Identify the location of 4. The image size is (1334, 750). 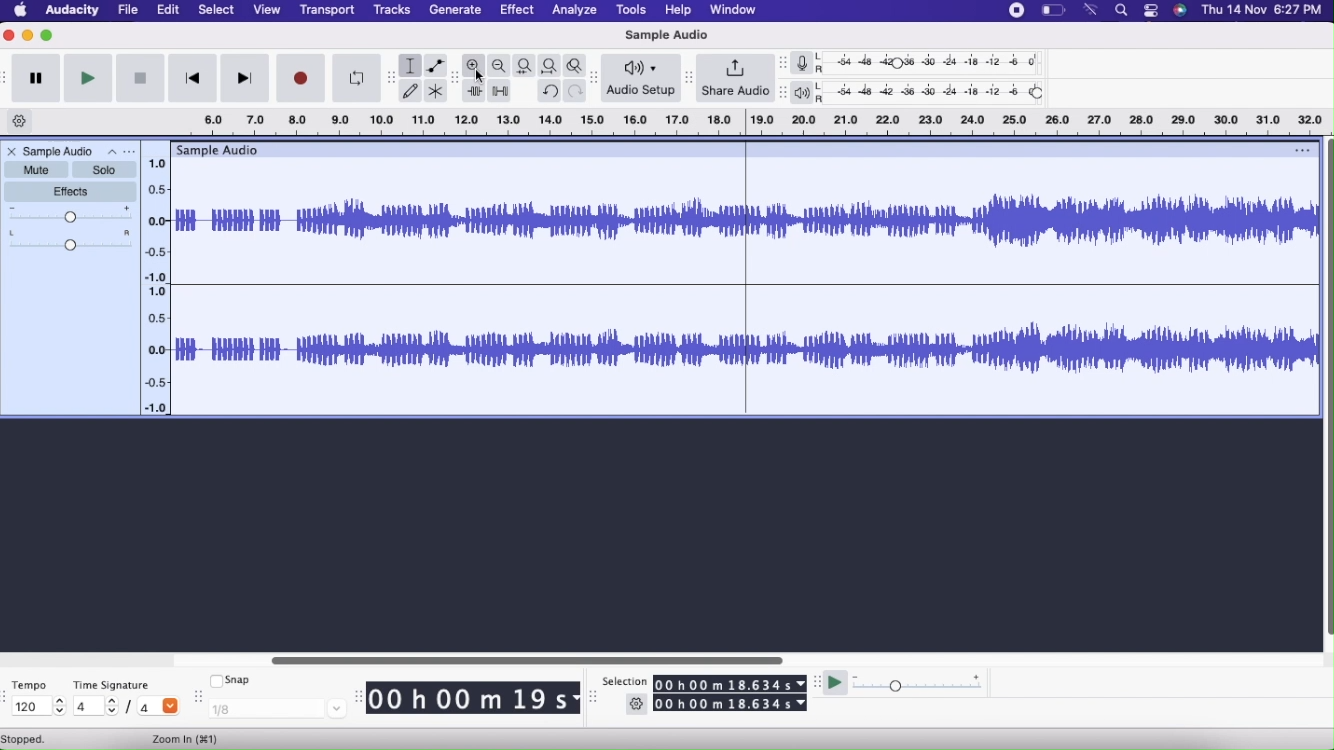
(158, 708).